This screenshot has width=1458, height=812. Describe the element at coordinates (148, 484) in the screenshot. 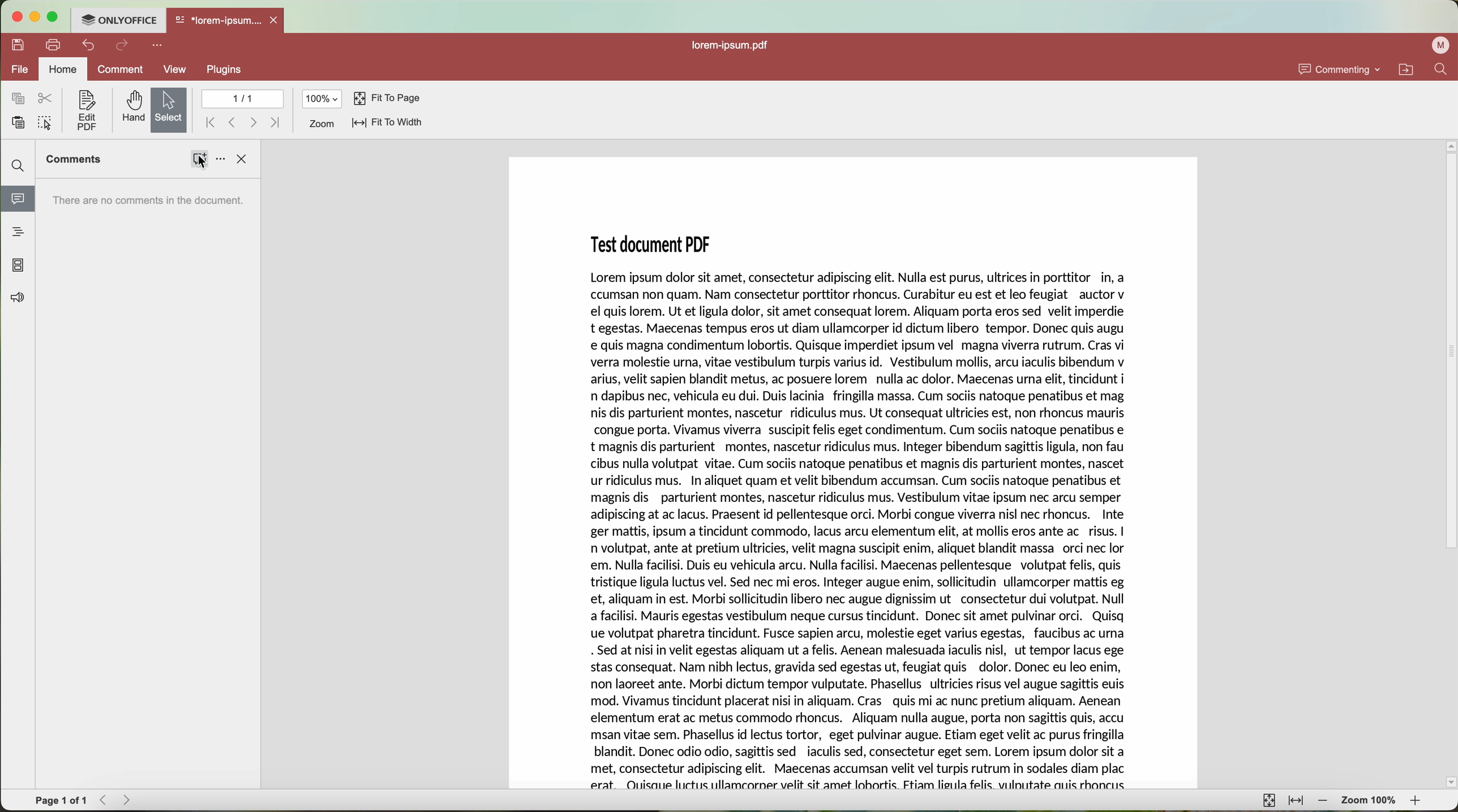

I see `sidebar` at that location.